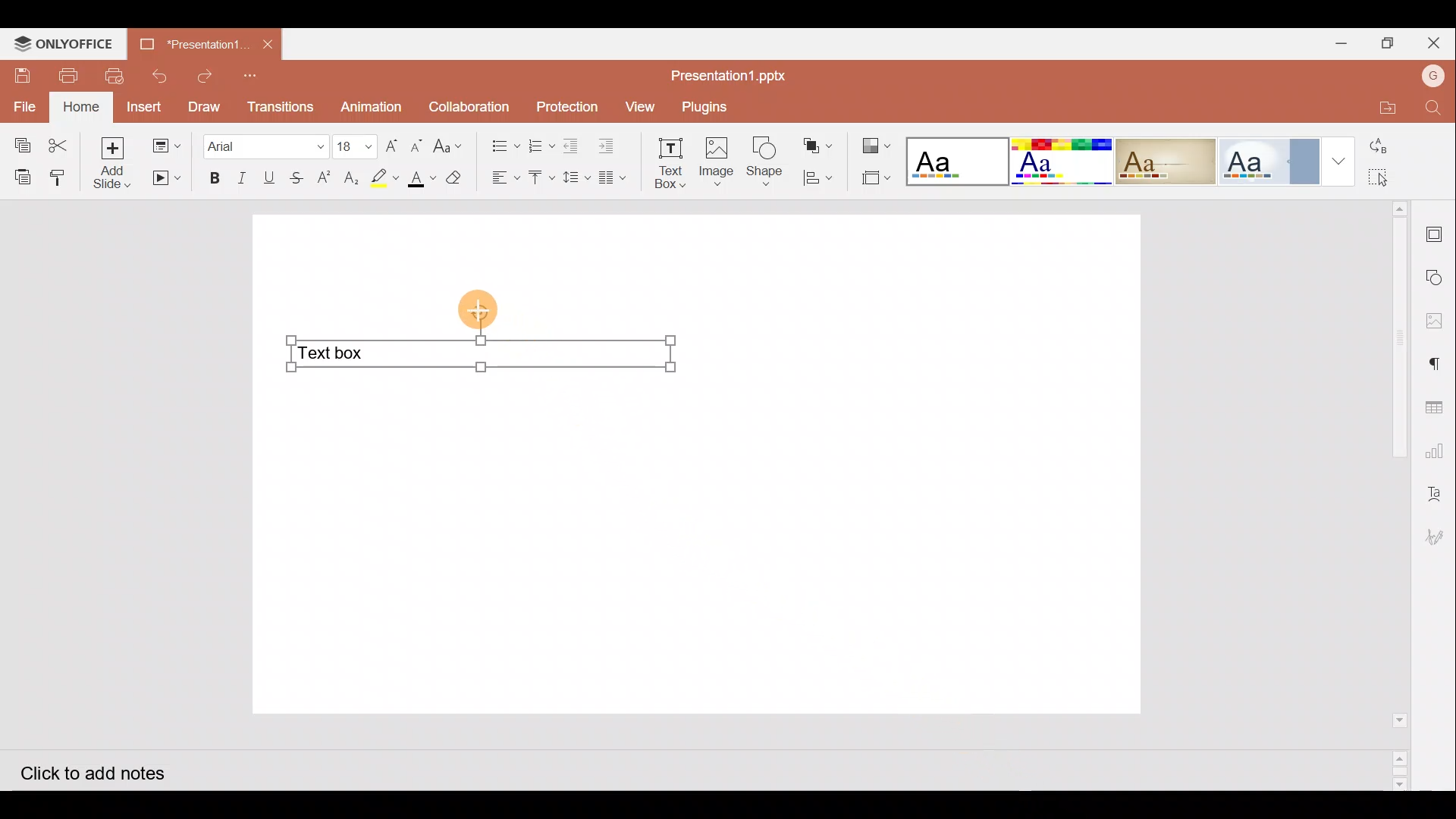 The width and height of the screenshot is (1456, 819). What do you see at coordinates (194, 45) in the screenshot?
I see `Presentation1` at bounding box center [194, 45].